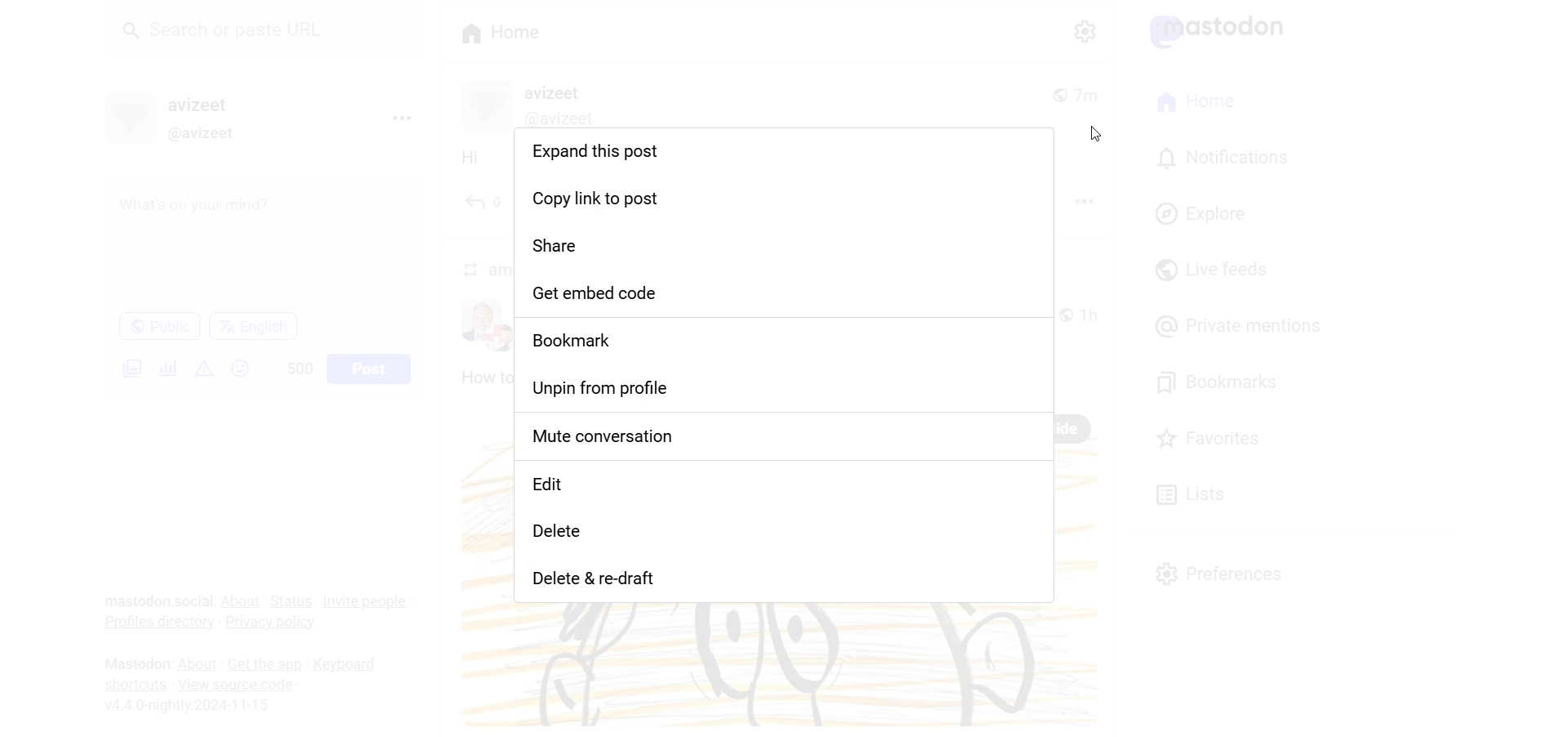  What do you see at coordinates (782, 154) in the screenshot?
I see `Expand this Post` at bounding box center [782, 154].